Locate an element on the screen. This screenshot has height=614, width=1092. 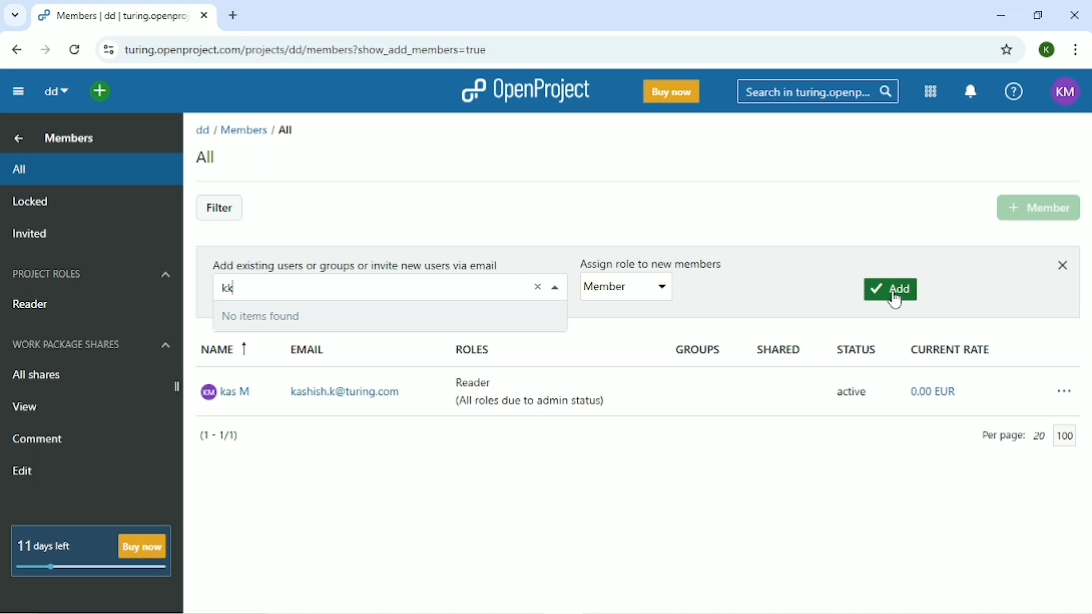
Close is located at coordinates (1061, 265).